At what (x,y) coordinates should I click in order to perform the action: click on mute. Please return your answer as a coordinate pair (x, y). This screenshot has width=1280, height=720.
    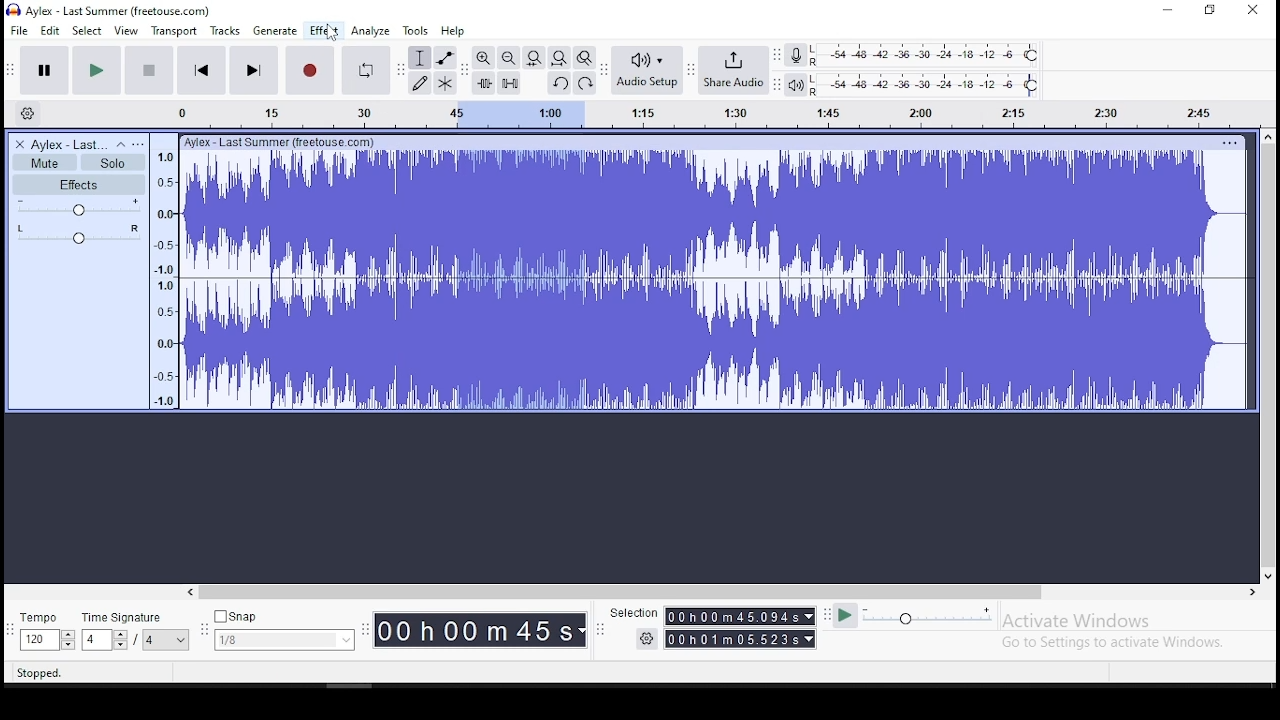
    Looking at the image, I should click on (45, 162).